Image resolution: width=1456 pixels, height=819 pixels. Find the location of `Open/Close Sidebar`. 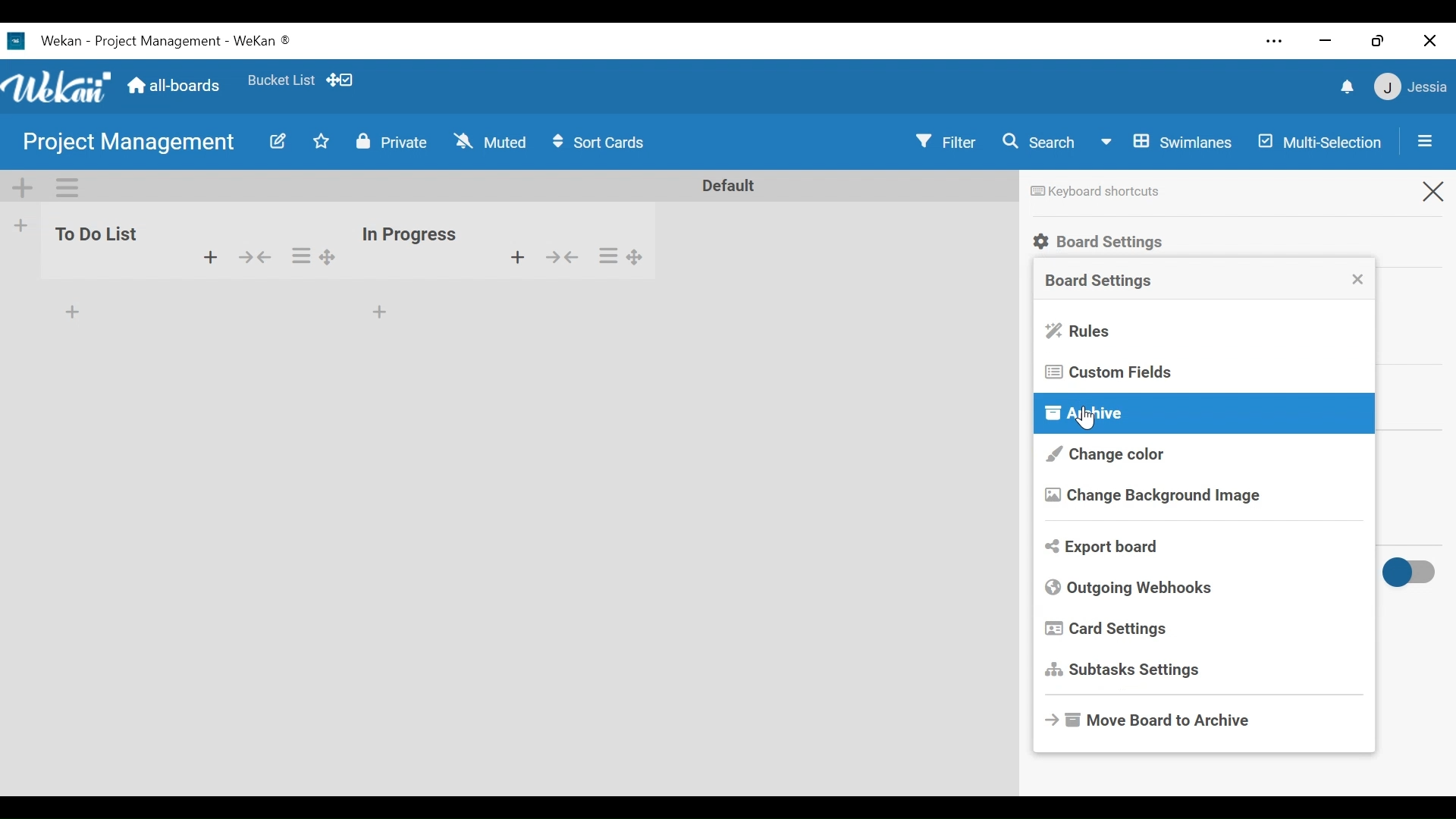

Open/Close Sidebar is located at coordinates (1420, 140).